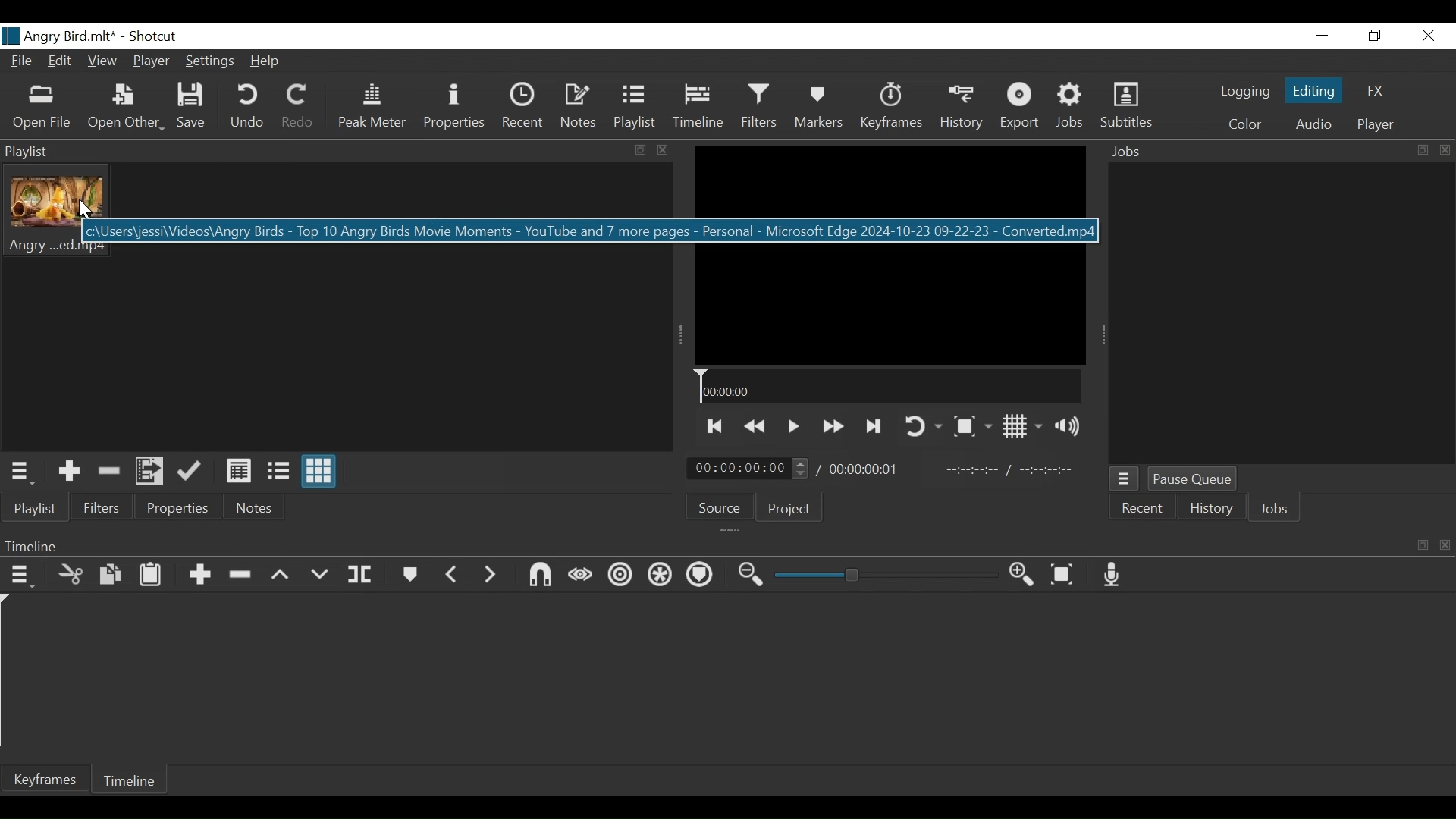 This screenshot has height=819, width=1456. Describe the element at coordinates (789, 509) in the screenshot. I see `Project` at that location.